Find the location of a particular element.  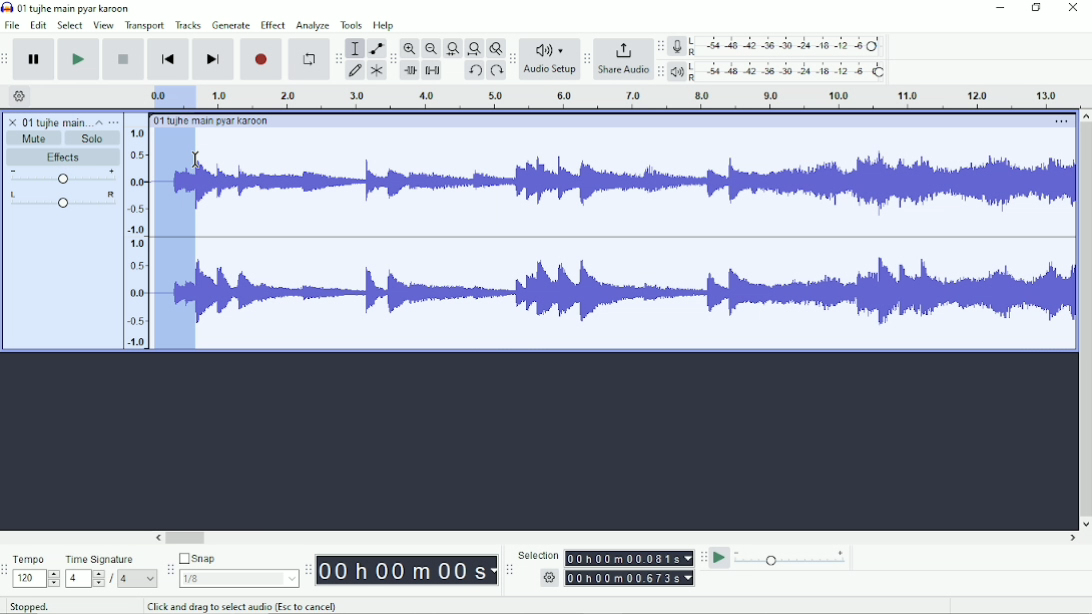

Playback speed is located at coordinates (791, 560).